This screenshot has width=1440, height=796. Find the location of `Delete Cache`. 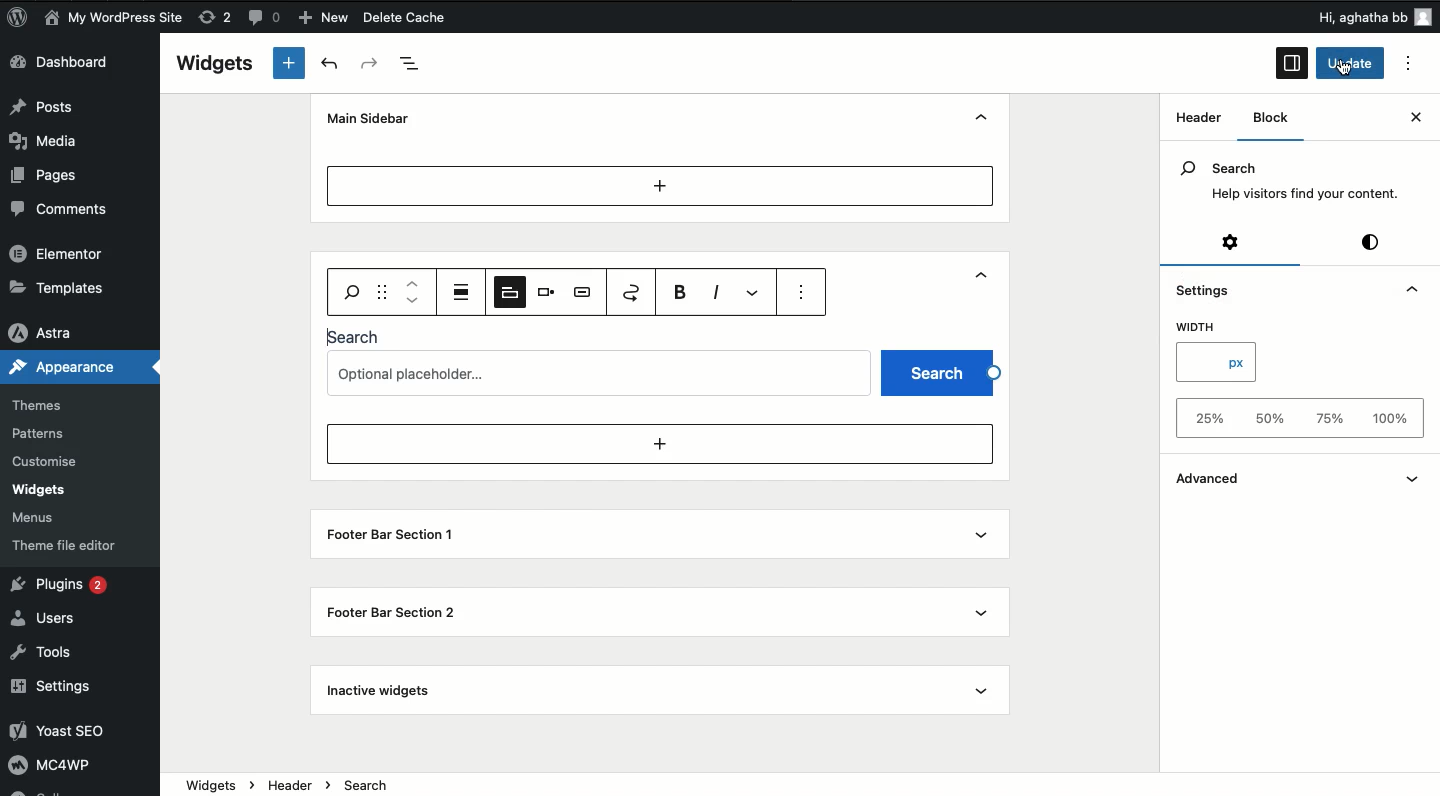

Delete Cache is located at coordinates (441, 19).